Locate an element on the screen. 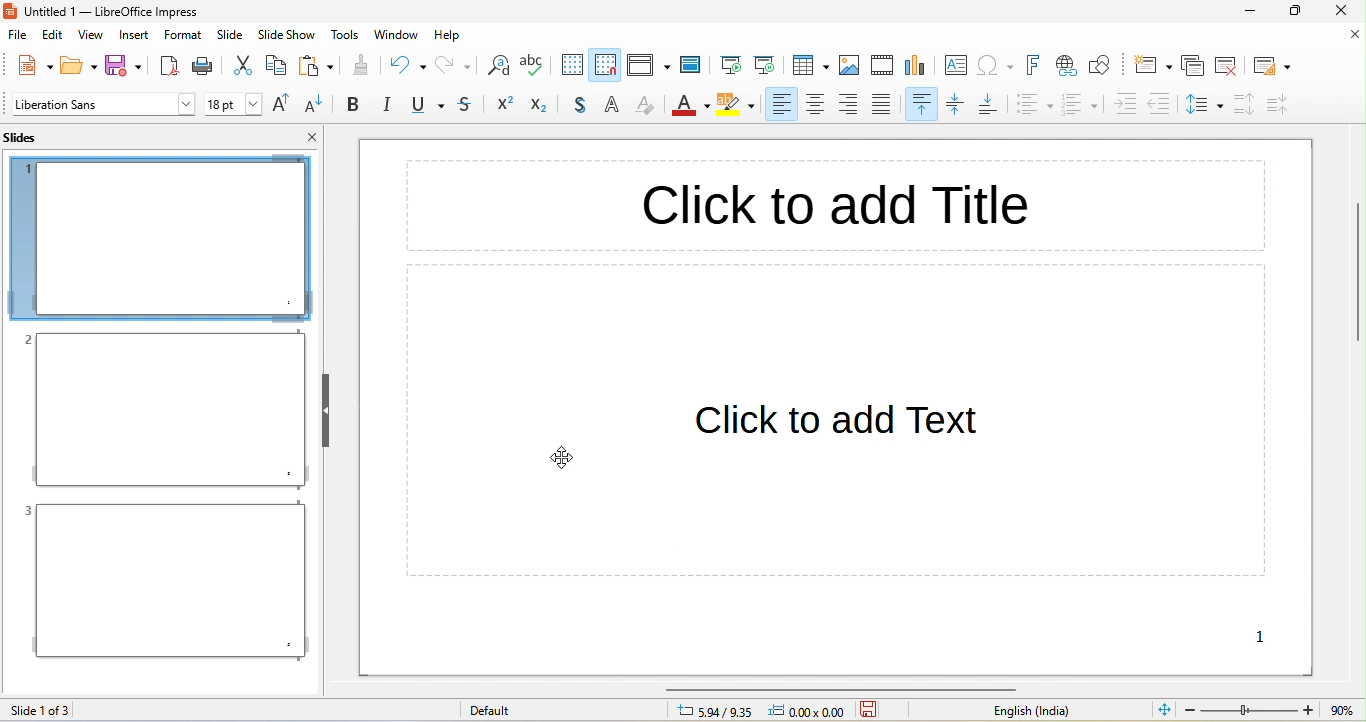 Image resolution: width=1366 pixels, height=722 pixels. undo is located at coordinates (407, 64).